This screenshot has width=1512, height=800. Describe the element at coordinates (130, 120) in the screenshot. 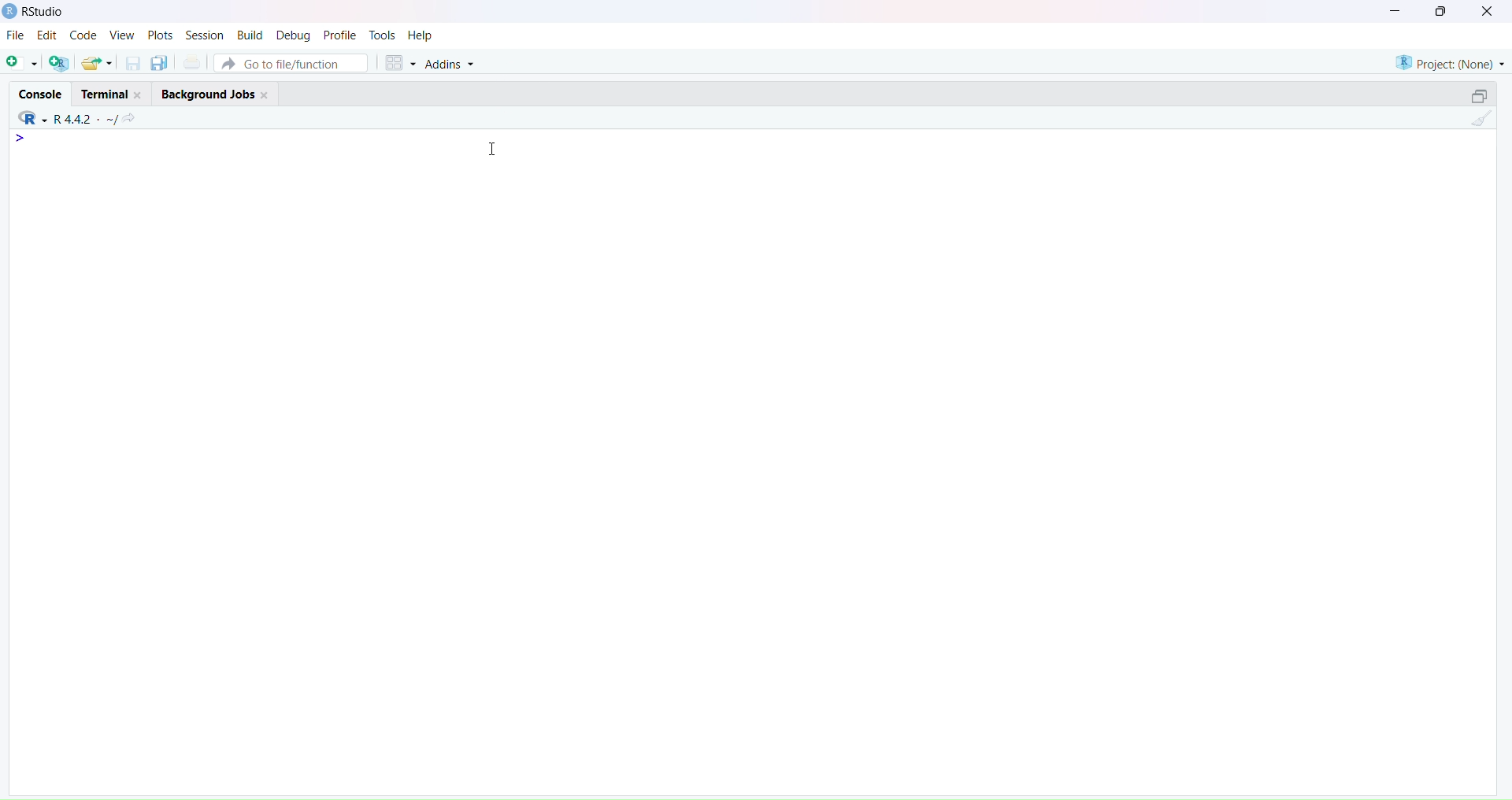

I see `view the current working directory` at that location.